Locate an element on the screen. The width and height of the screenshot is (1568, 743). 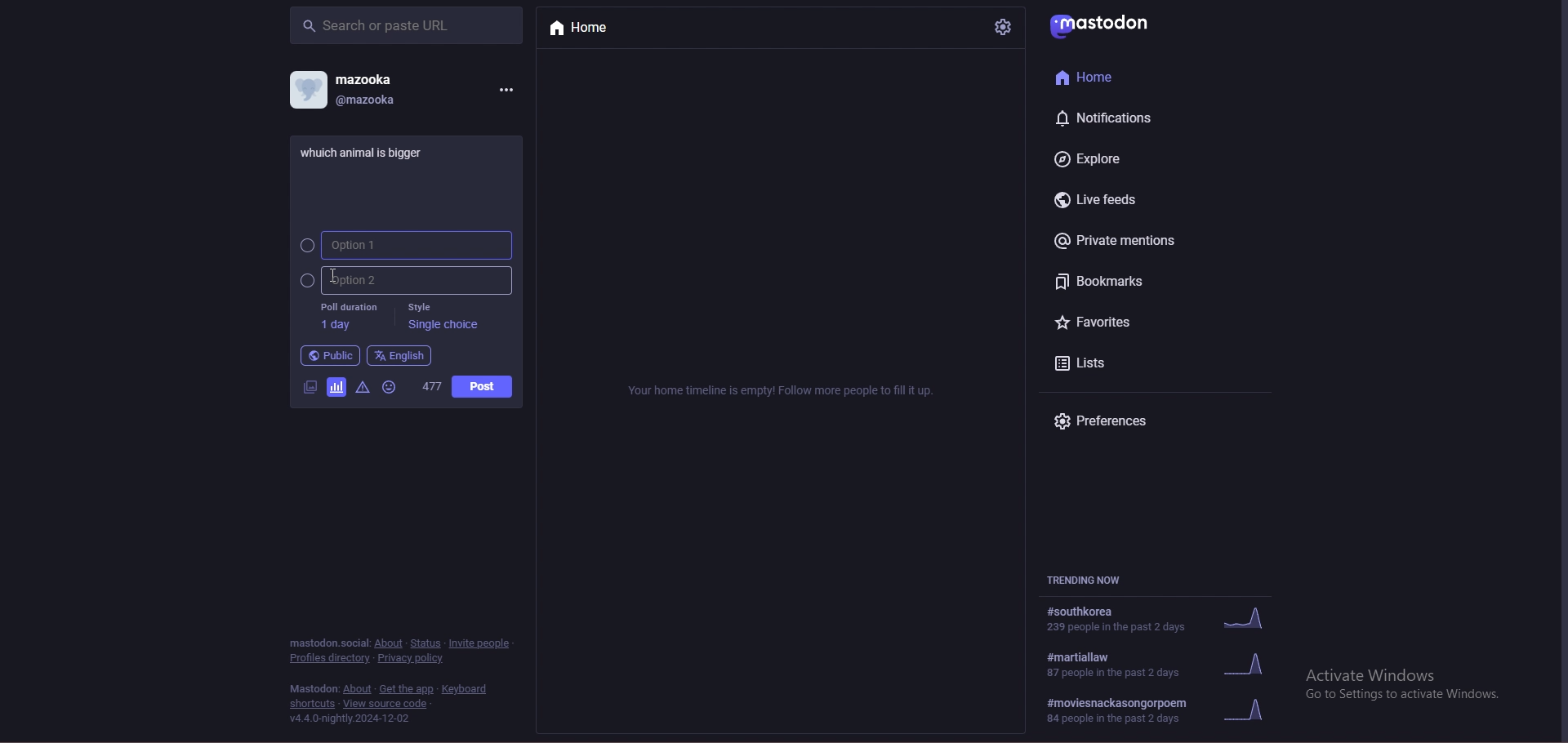
favorites is located at coordinates (1114, 324).